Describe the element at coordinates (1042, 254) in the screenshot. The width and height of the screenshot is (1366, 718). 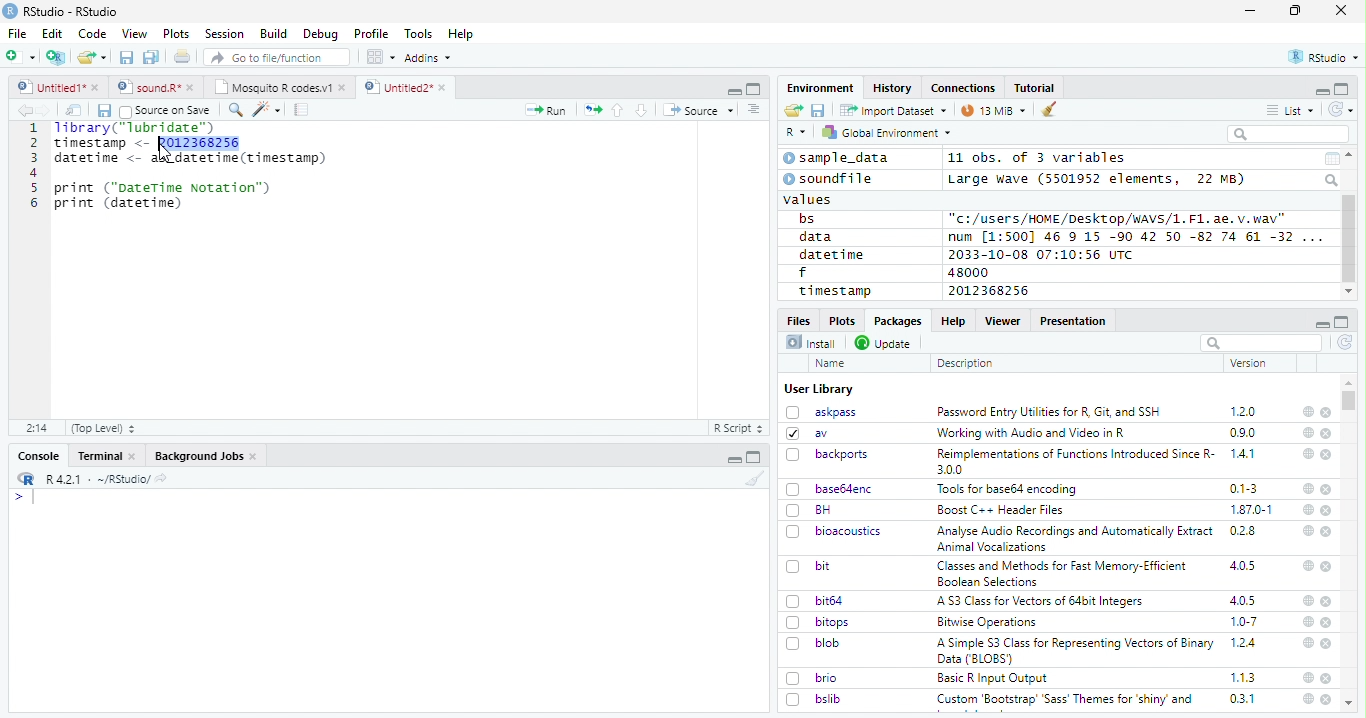
I see `2033-10-08 07:10:56 UTC` at that location.